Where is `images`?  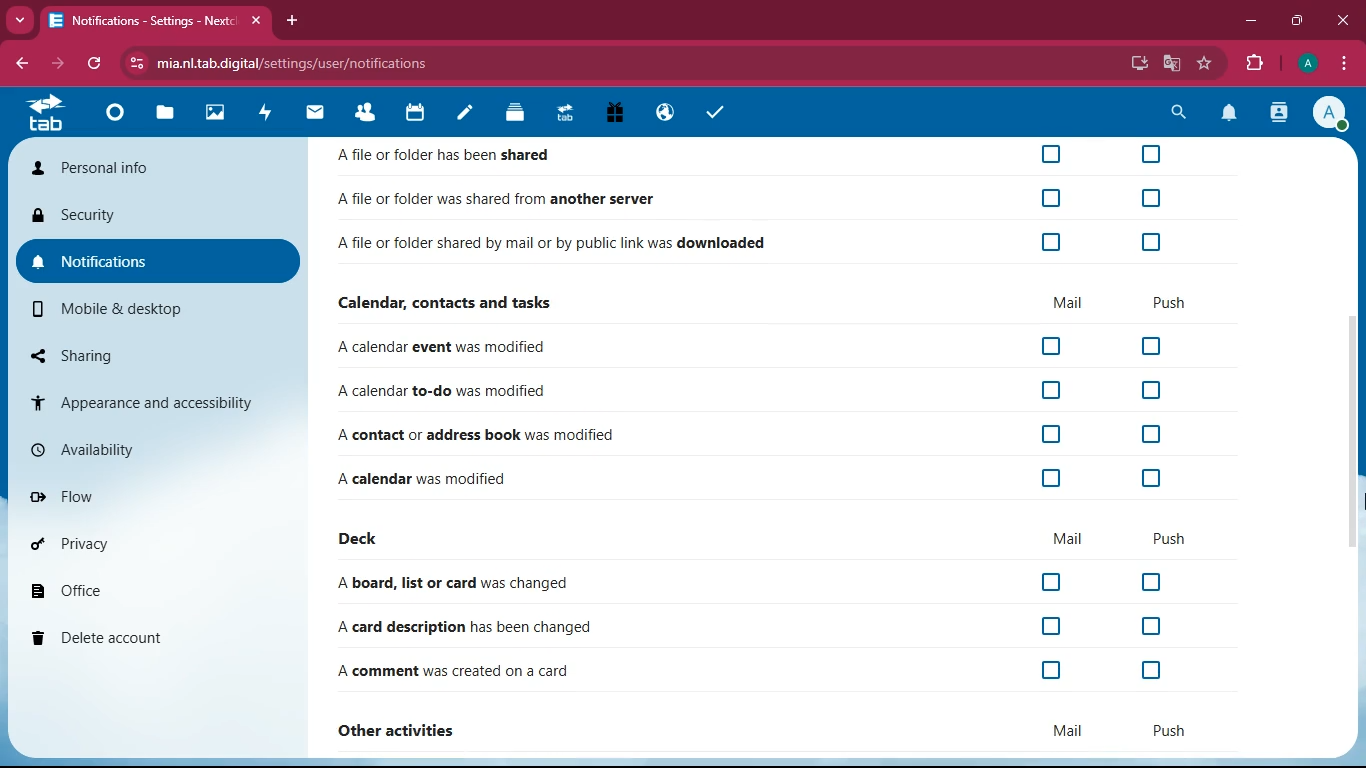 images is located at coordinates (219, 115).